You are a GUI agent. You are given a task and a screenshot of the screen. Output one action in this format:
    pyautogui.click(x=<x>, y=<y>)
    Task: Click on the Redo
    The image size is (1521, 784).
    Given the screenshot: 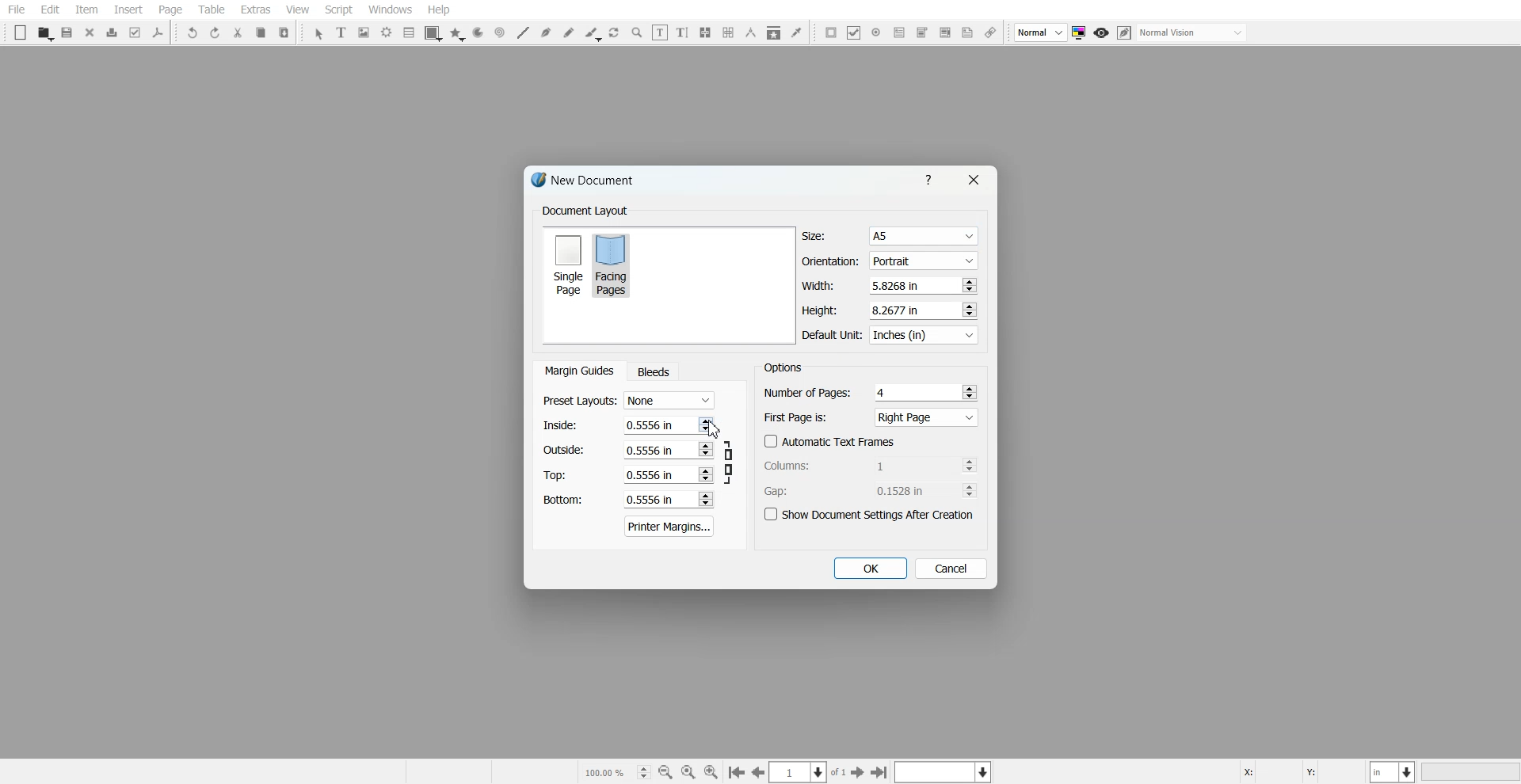 What is the action you would take?
    pyautogui.click(x=215, y=32)
    